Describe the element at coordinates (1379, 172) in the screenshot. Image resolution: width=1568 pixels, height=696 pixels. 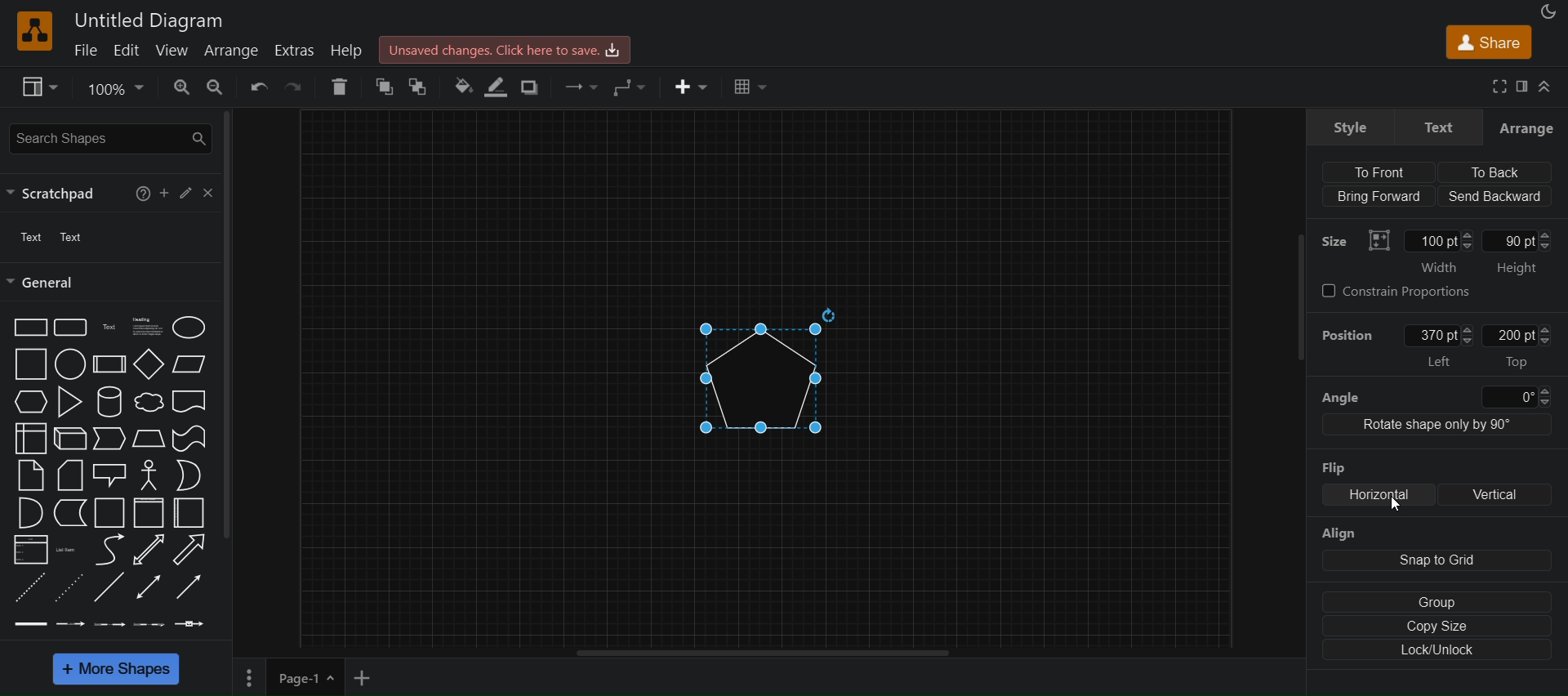
I see `To front` at that location.